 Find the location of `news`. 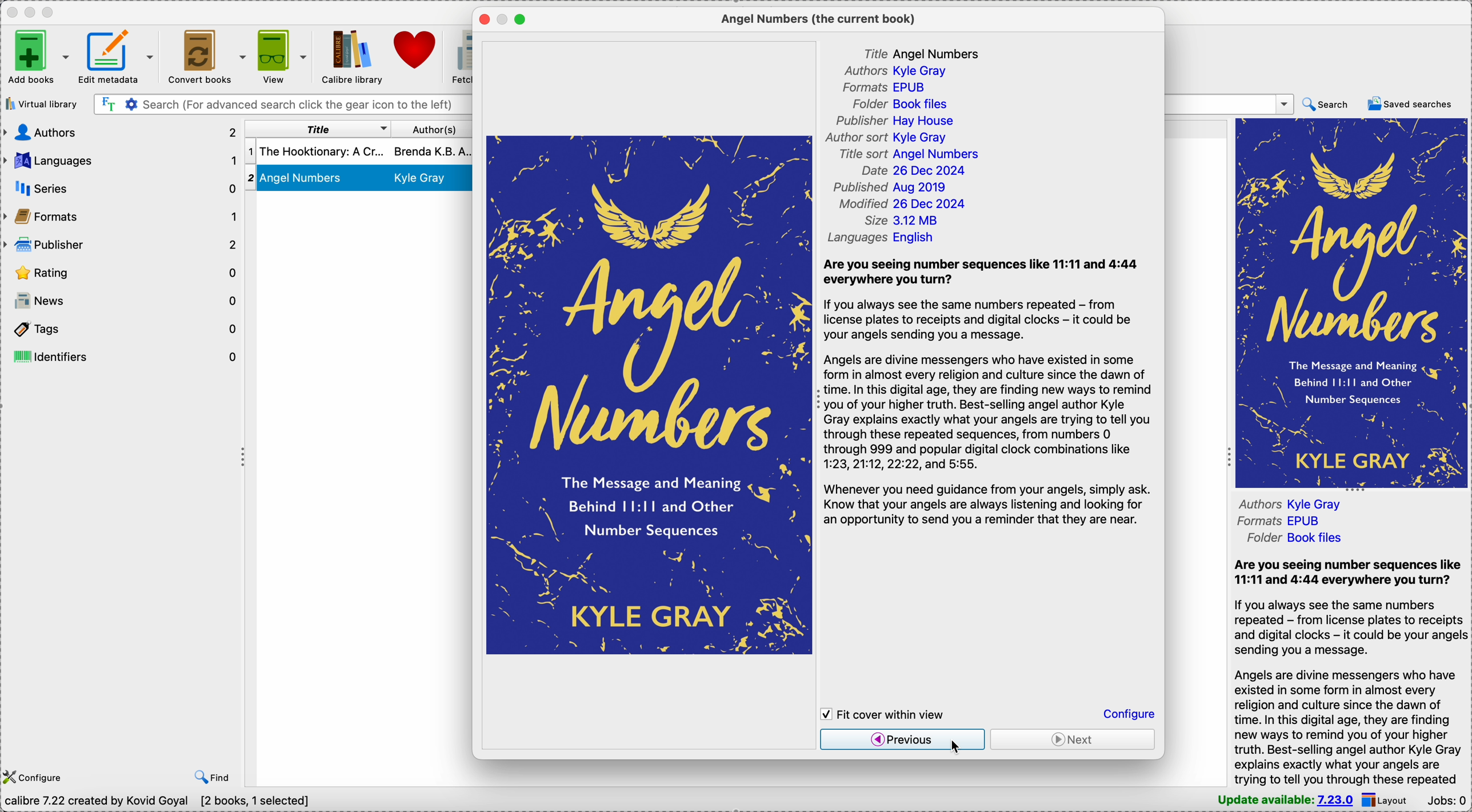

news is located at coordinates (122, 299).